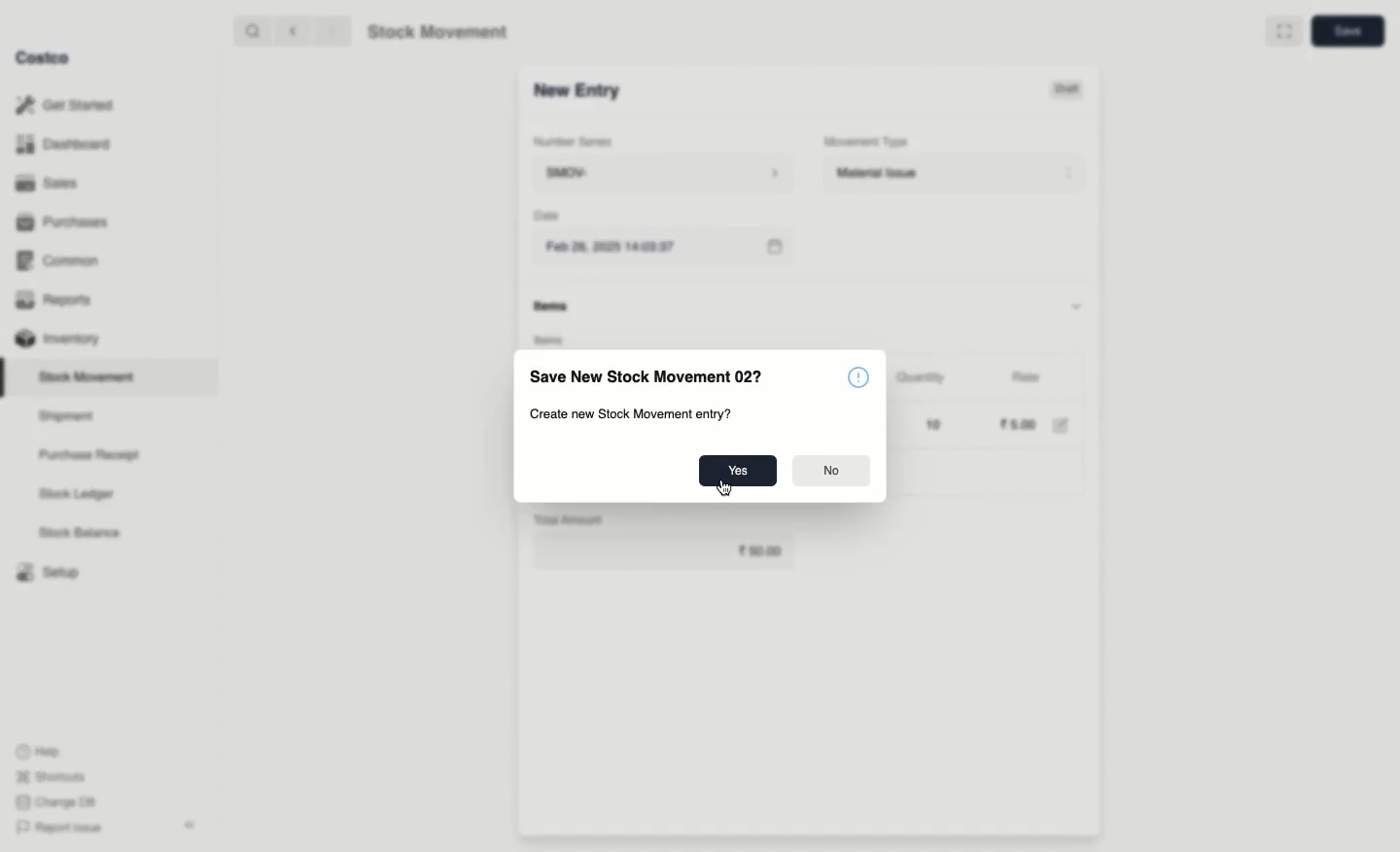 This screenshot has width=1400, height=852. I want to click on Setup, so click(46, 570).